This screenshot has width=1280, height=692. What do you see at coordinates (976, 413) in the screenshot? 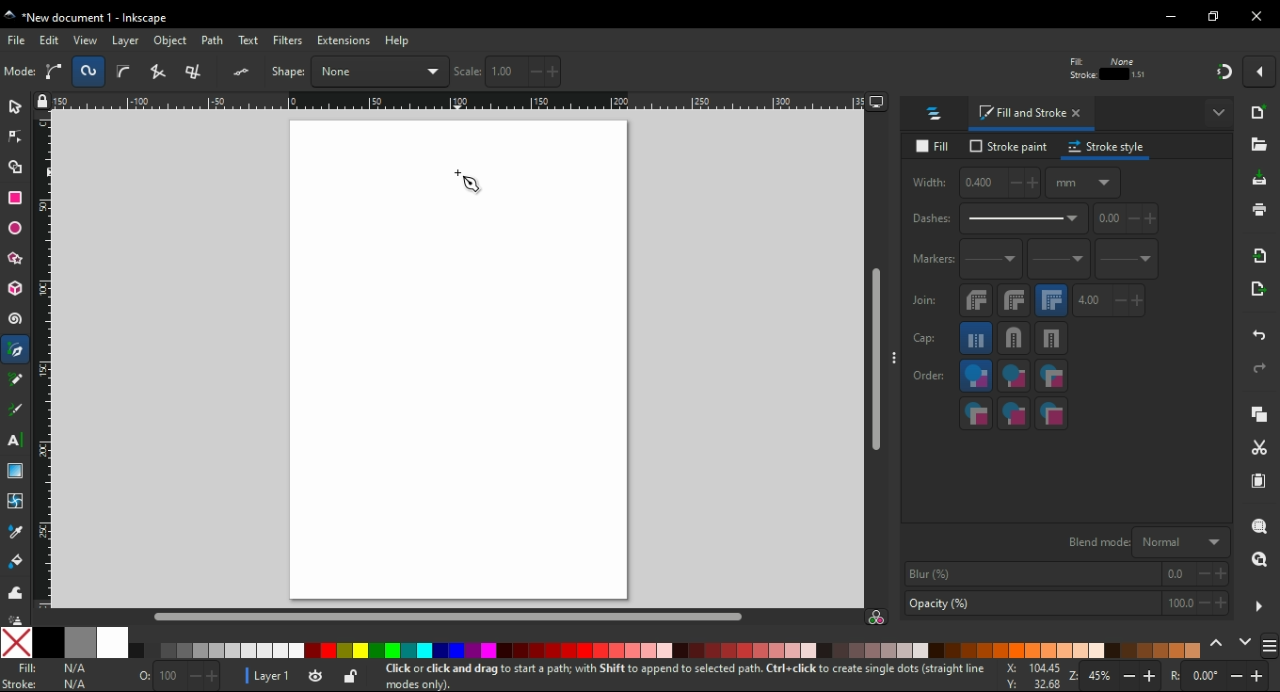
I see `markers,fill,stroke` at bounding box center [976, 413].